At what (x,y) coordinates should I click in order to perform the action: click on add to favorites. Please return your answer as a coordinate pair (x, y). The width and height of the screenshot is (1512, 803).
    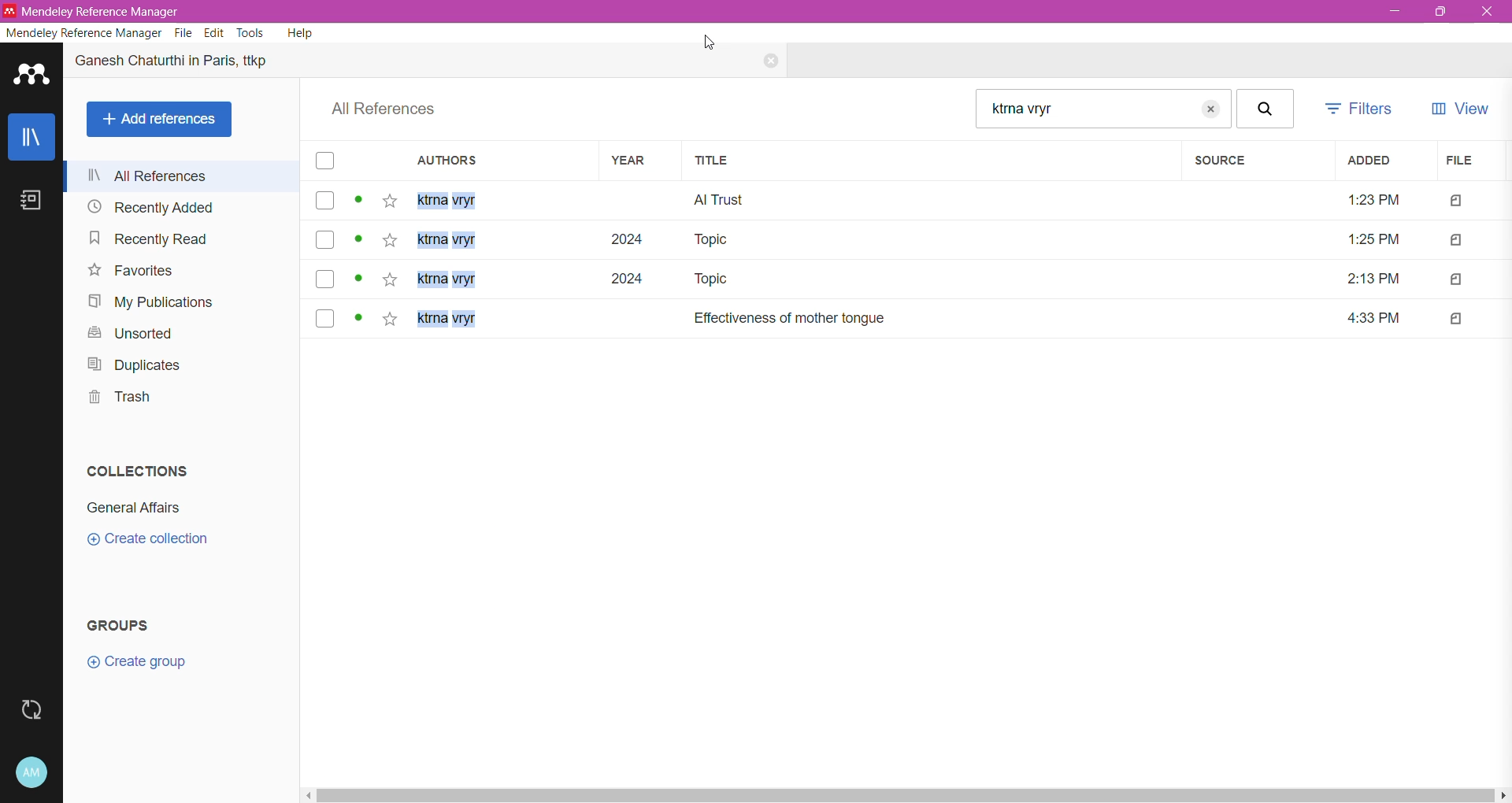
    Looking at the image, I should click on (391, 201).